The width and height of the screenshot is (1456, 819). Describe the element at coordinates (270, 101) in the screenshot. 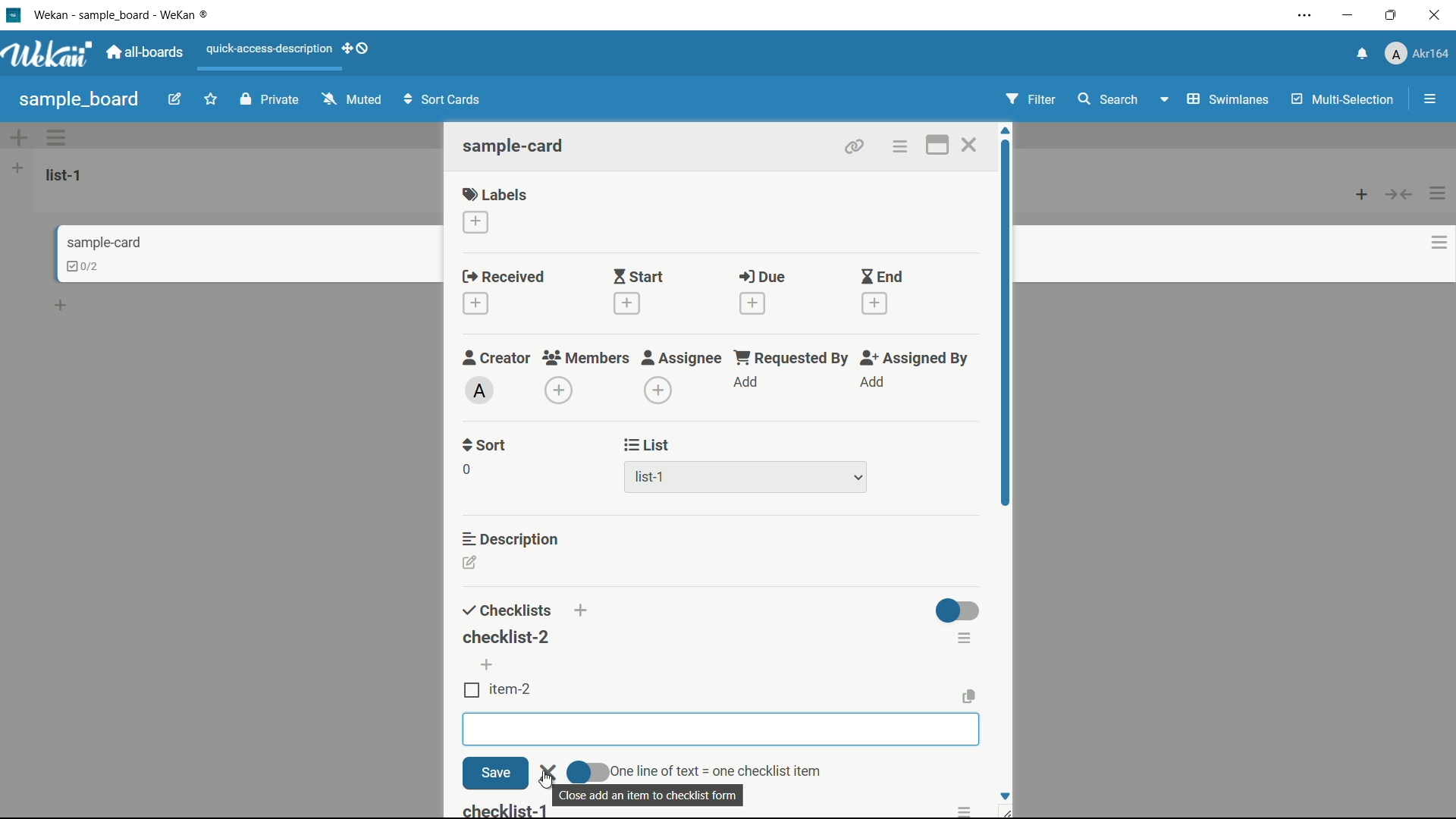

I see `private` at that location.